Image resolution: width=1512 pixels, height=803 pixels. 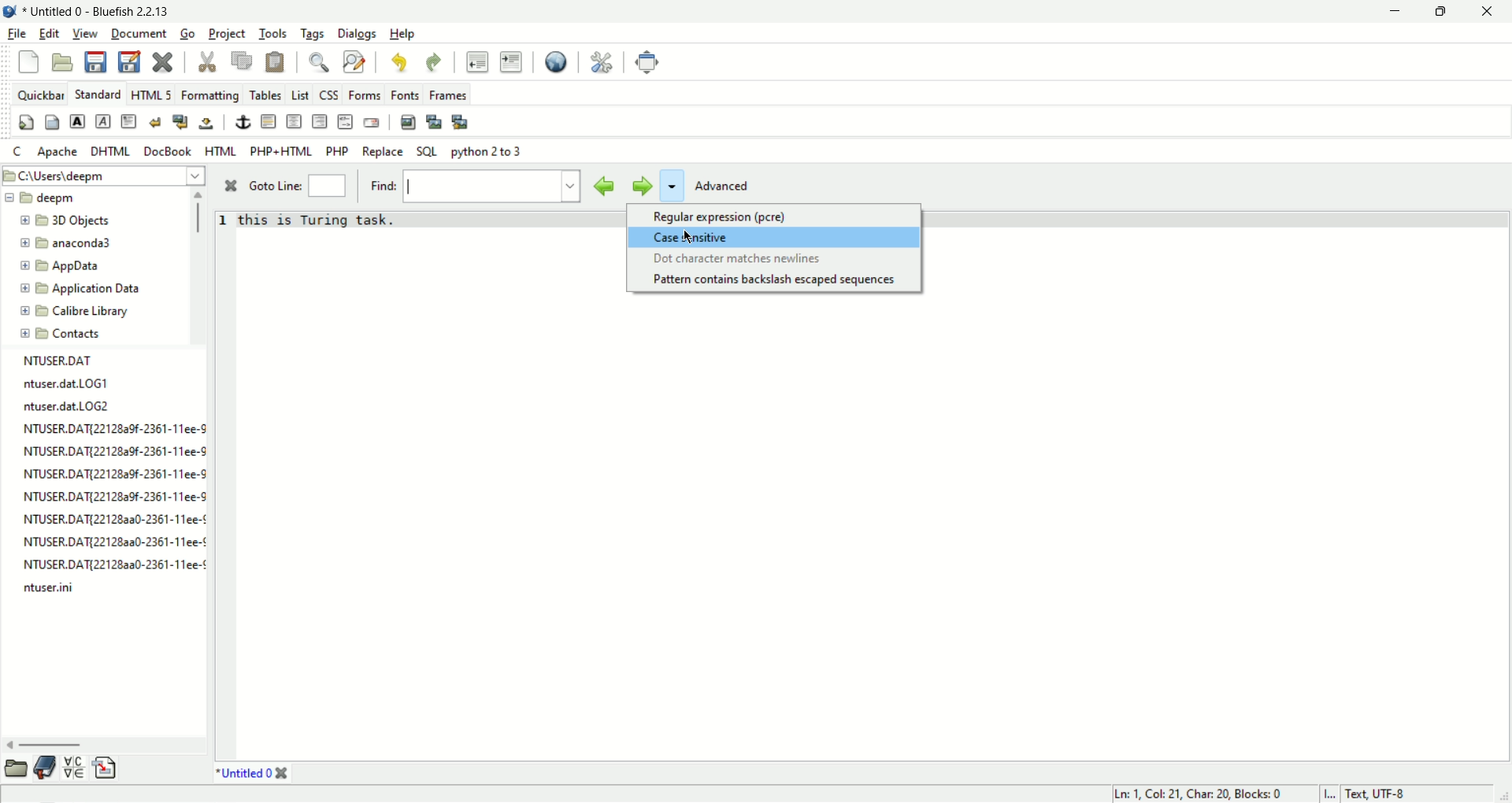 What do you see at coordinates (69, 267) in the screenshot?
I see `AppData` at bounding box center [69, 267].